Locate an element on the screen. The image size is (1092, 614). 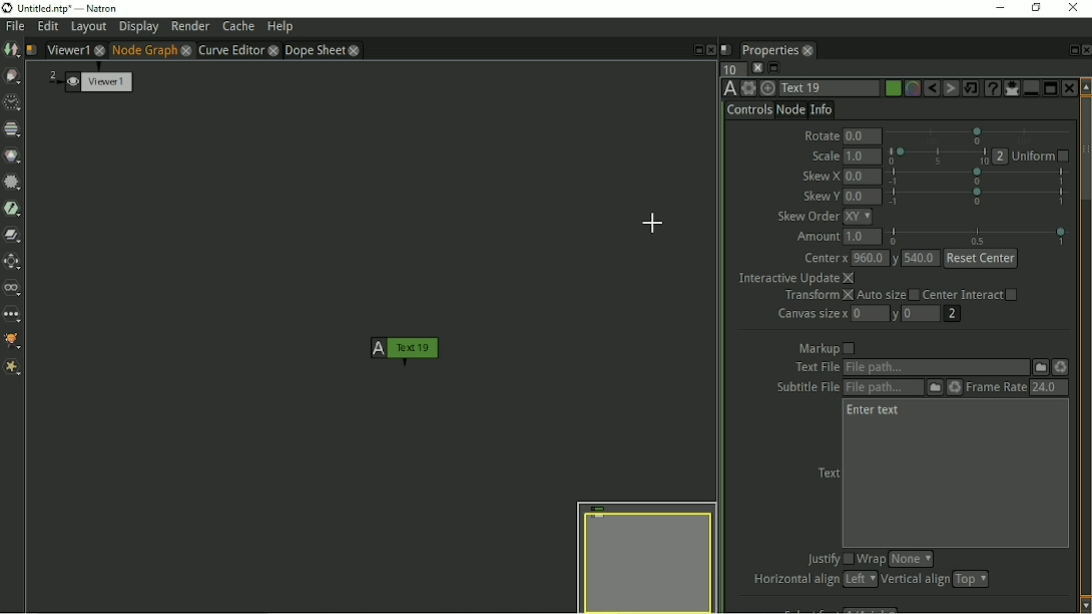
Restore default values is located at coordinates (972, 88).